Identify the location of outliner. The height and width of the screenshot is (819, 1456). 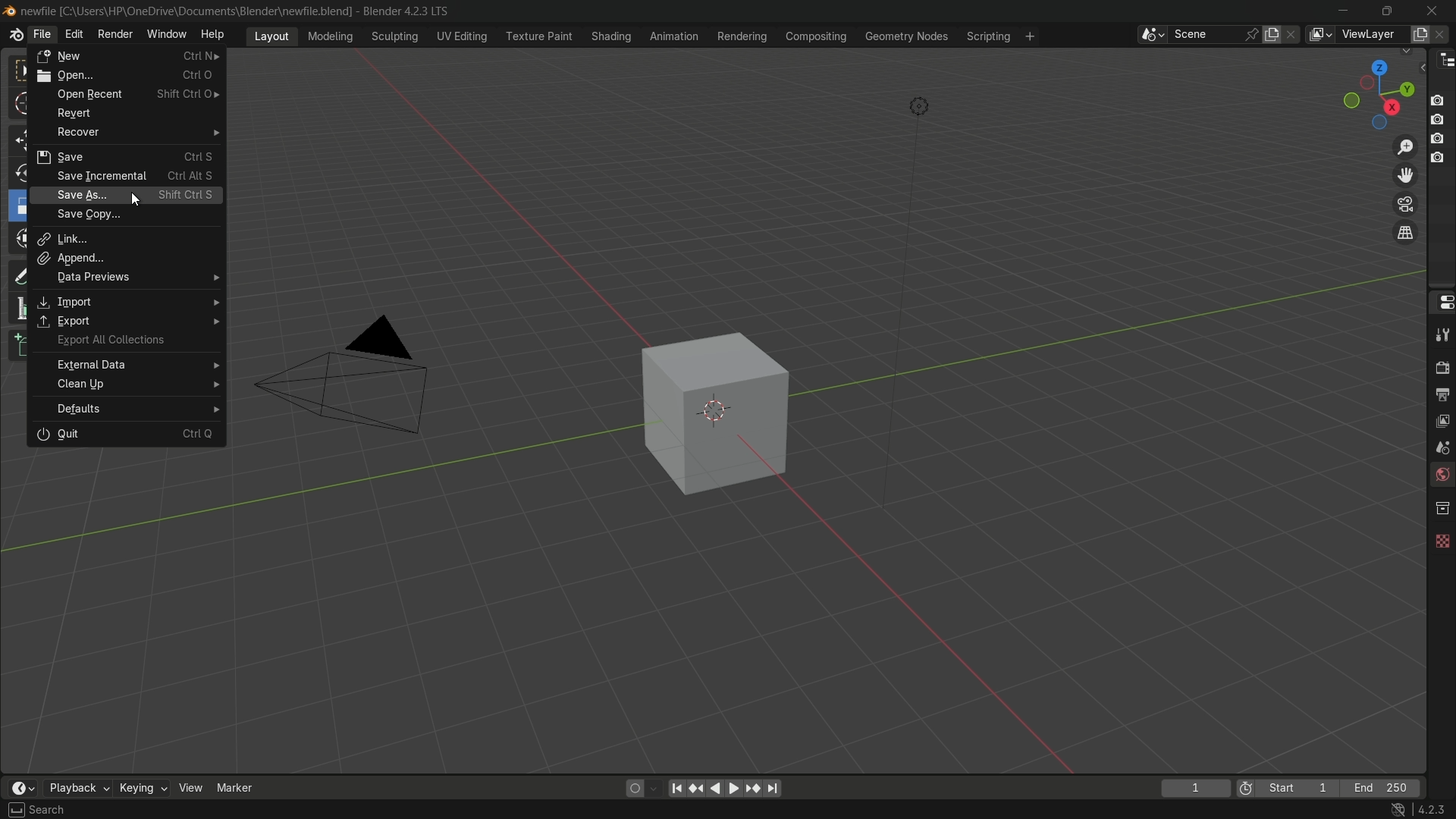
(1442, 59).